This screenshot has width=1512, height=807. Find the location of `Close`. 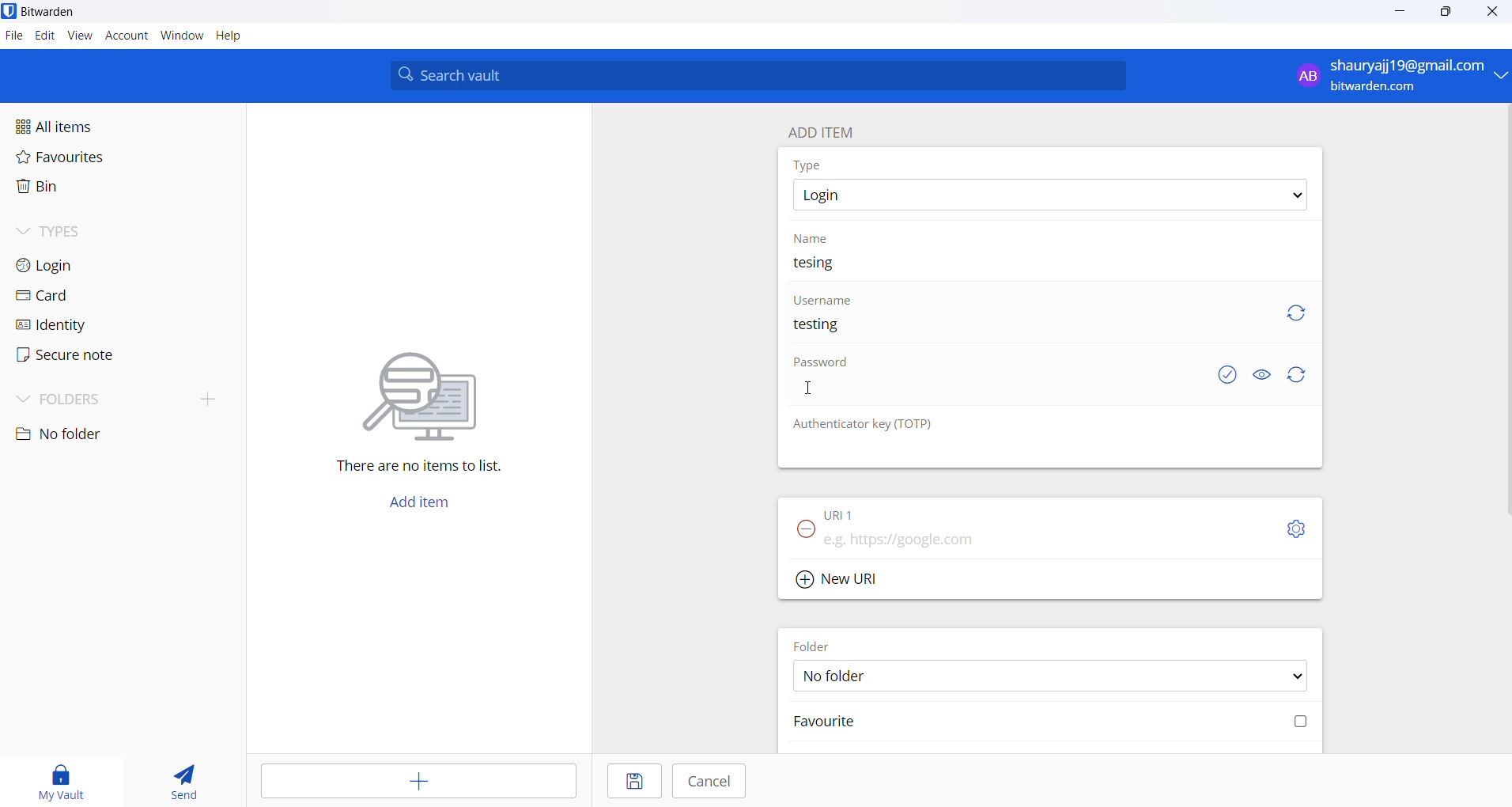

Close is located at coordinates (1494, 14).